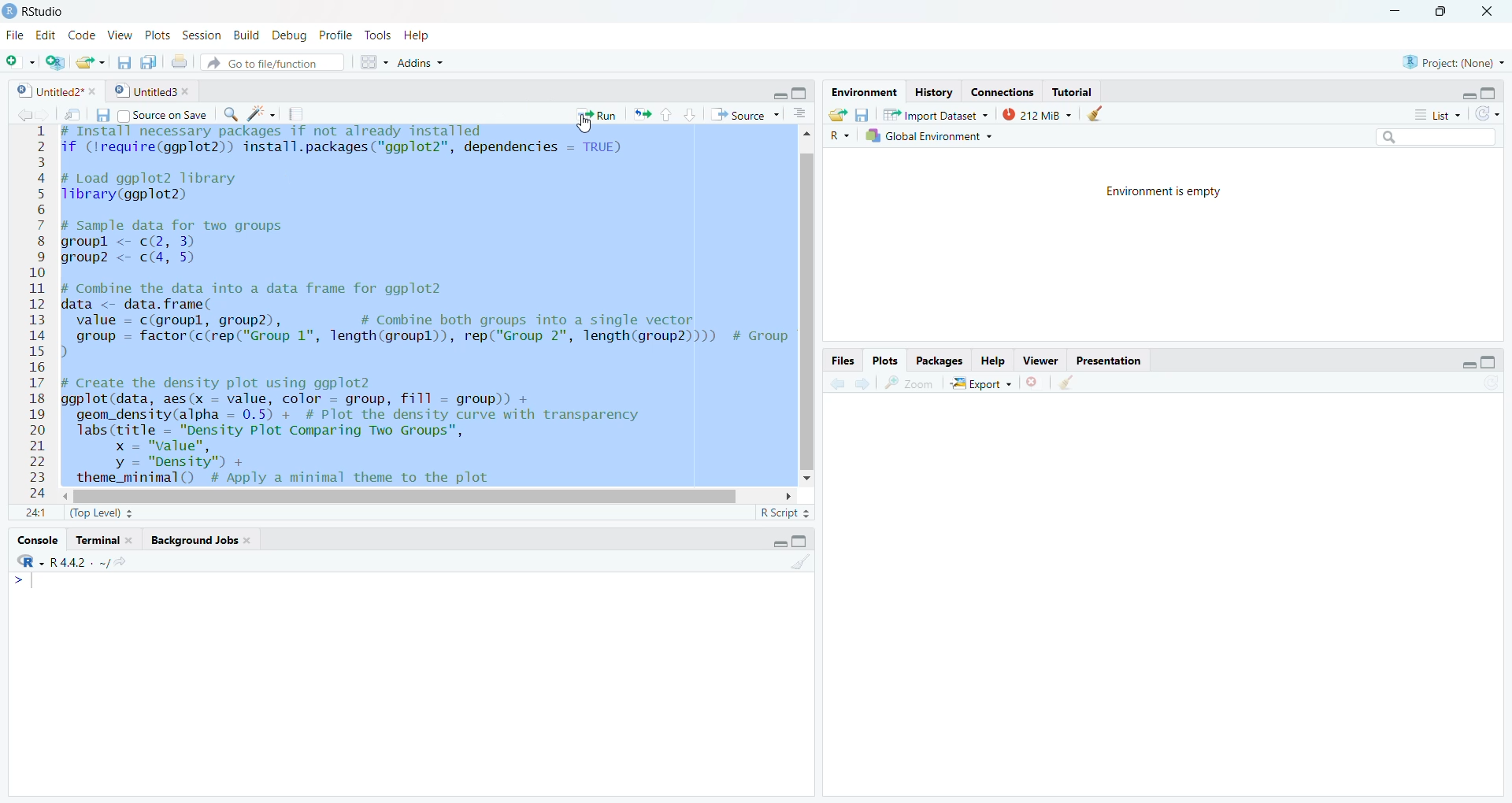 The width and height of the screenshot is (1512, 803). What do you see at coordinates (428, 65) in the screenshot?
I see `addins` at bounding box center [428, 65].